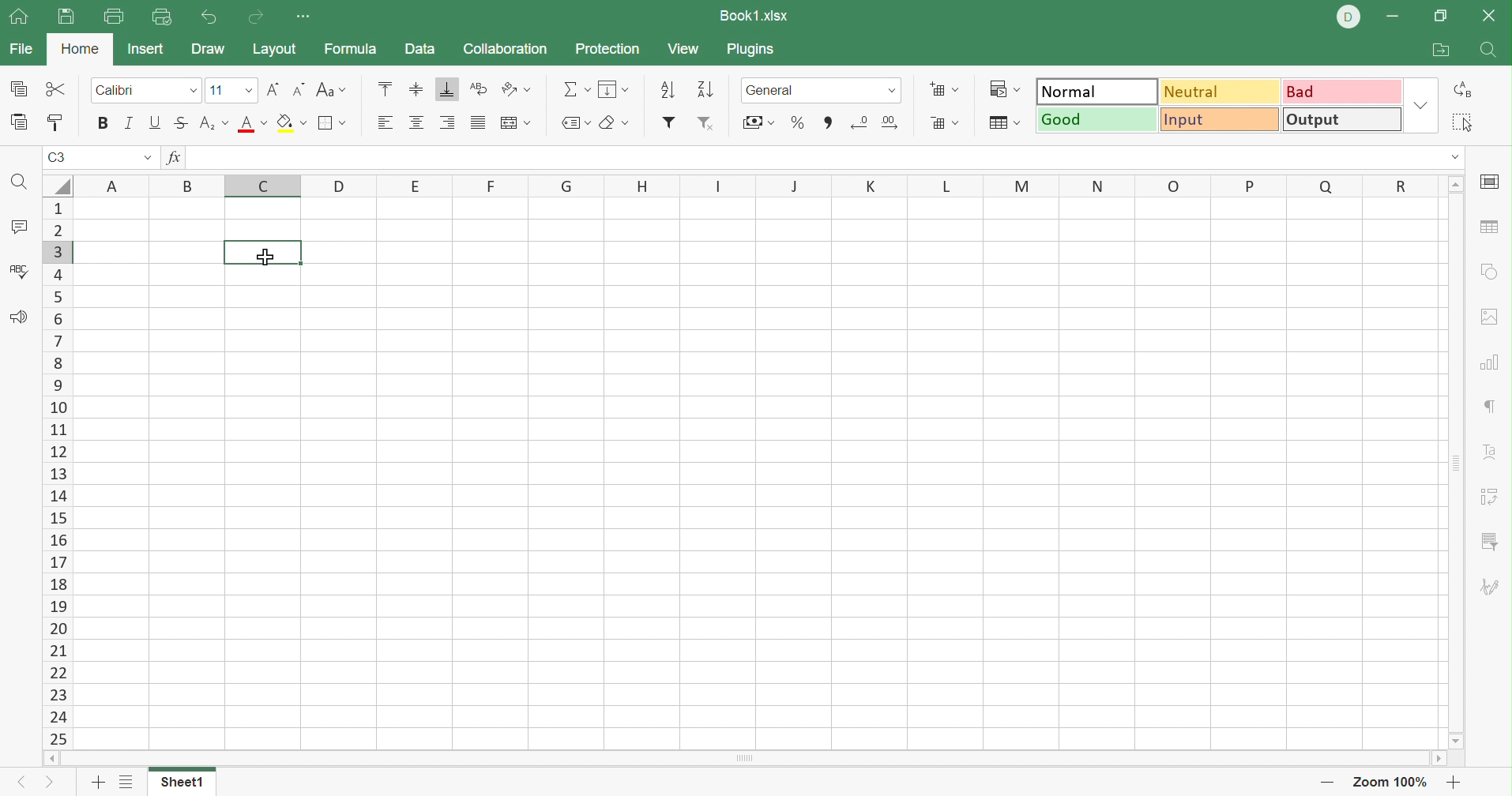 The image size is (1512, 796). I want to click on Home, so click(83, 49).